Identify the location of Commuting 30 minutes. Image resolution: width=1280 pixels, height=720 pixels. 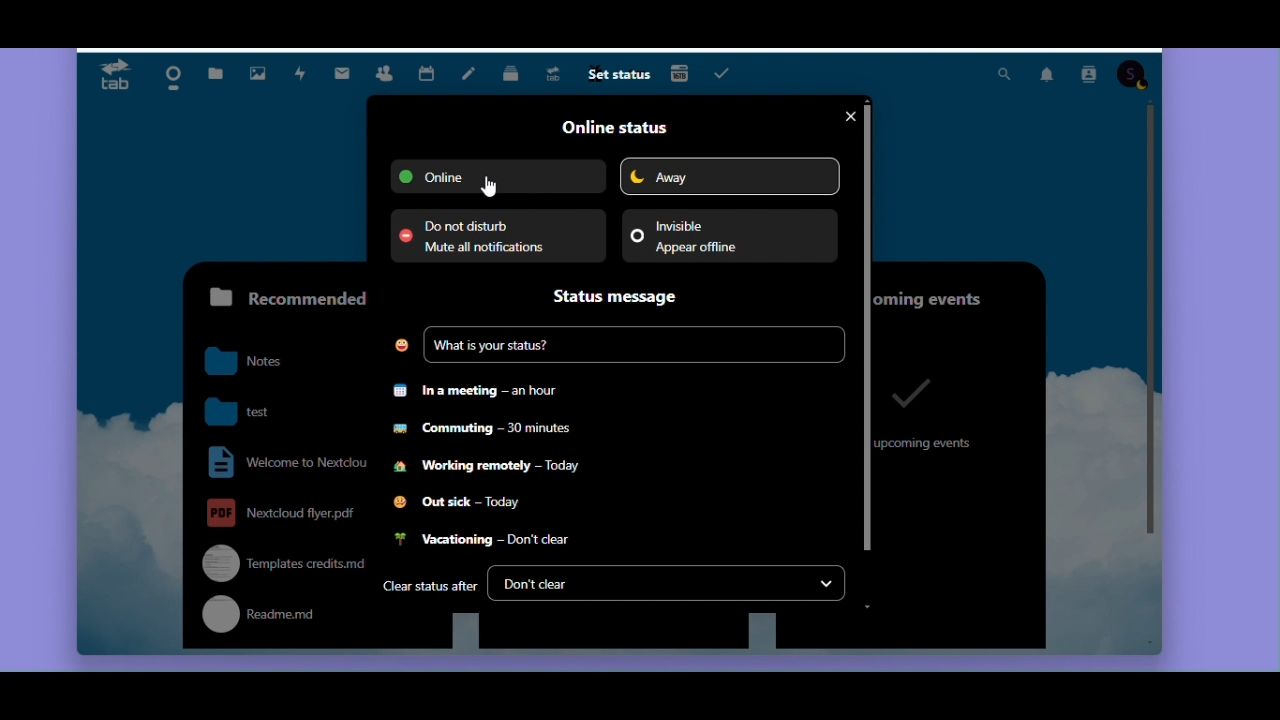
(482, 434).